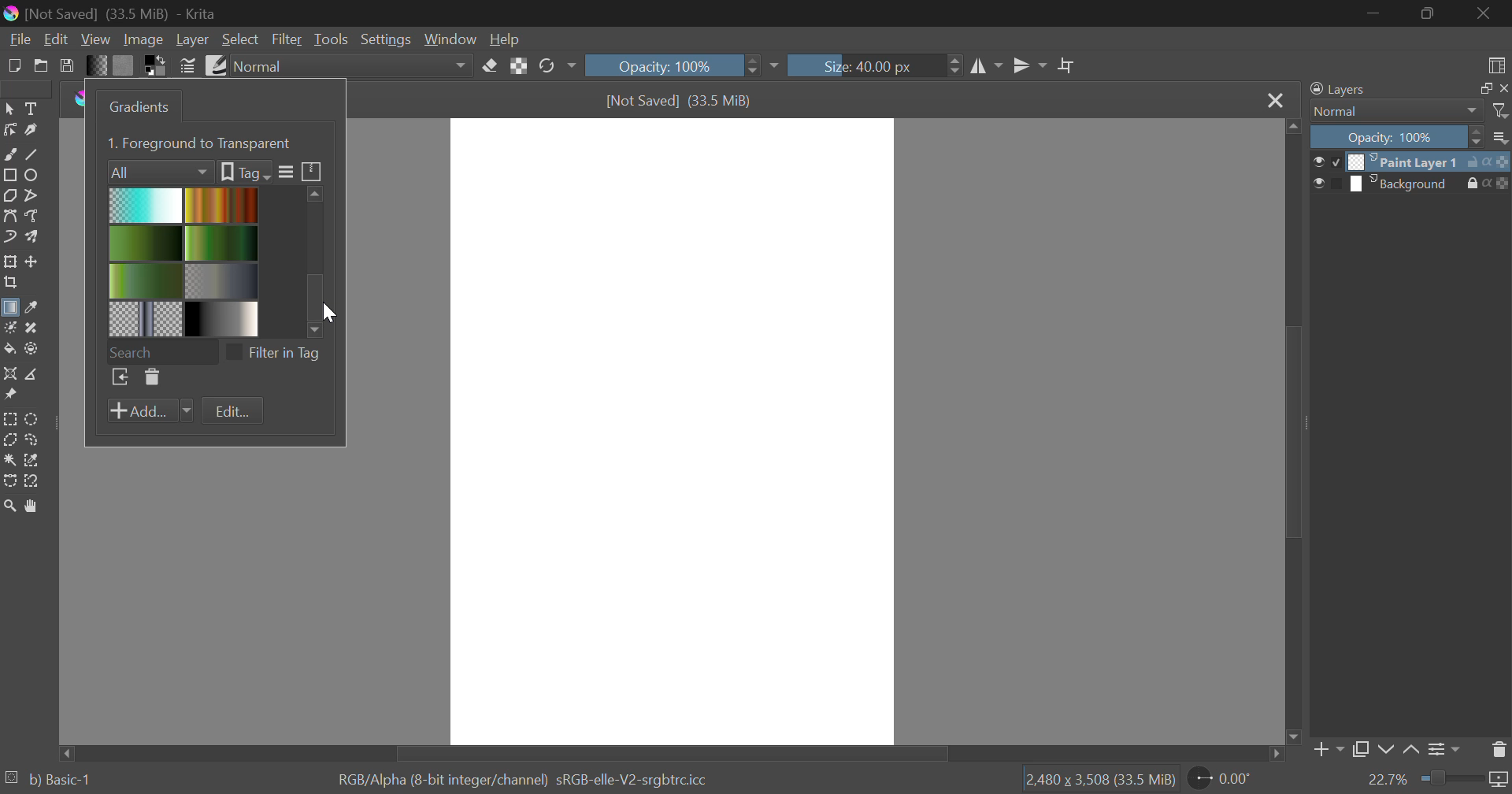  What do you see at coordinates (1412, 751) in the screenshot?
I see `Move Layer Up` at bounding box center [1412, 751].